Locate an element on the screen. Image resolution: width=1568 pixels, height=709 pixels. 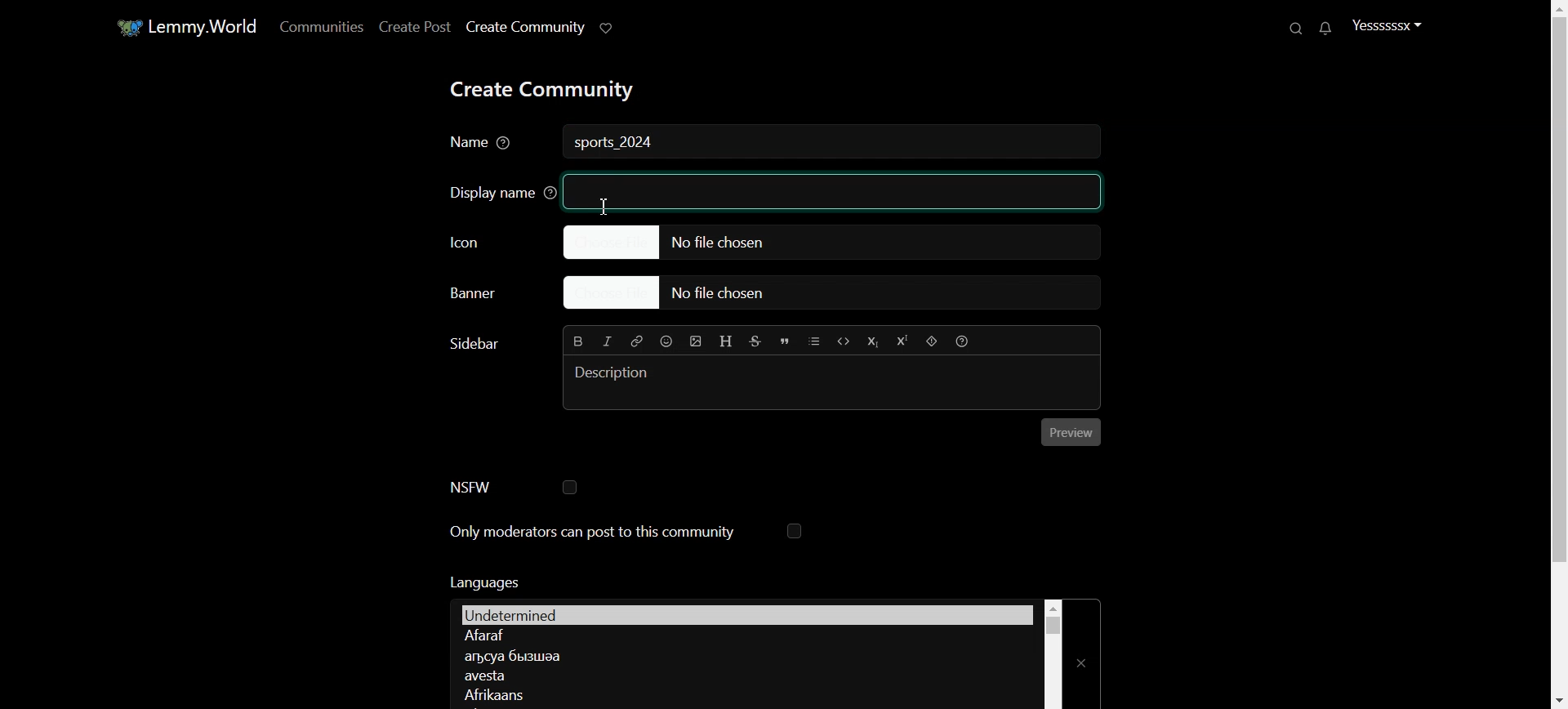
Strikethrough is located at coordinates (756, 341).